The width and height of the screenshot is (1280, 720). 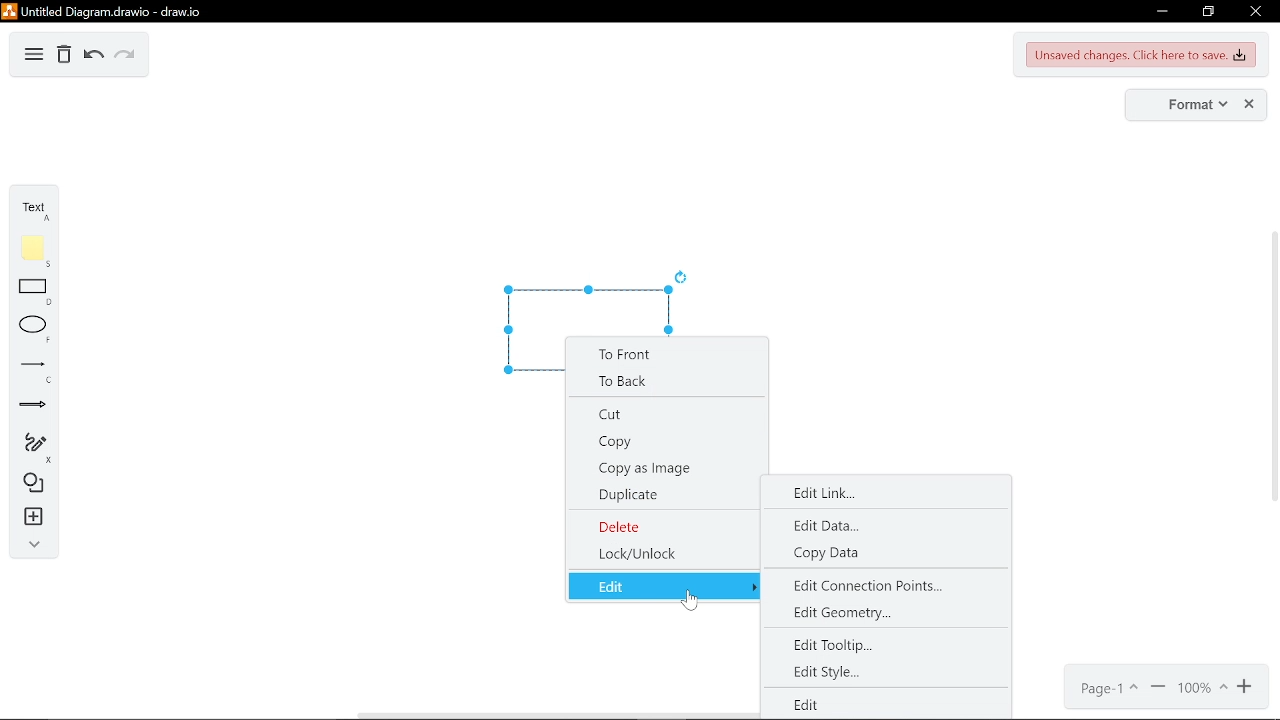 I want to click on edit data, so click(x=825, y=529).